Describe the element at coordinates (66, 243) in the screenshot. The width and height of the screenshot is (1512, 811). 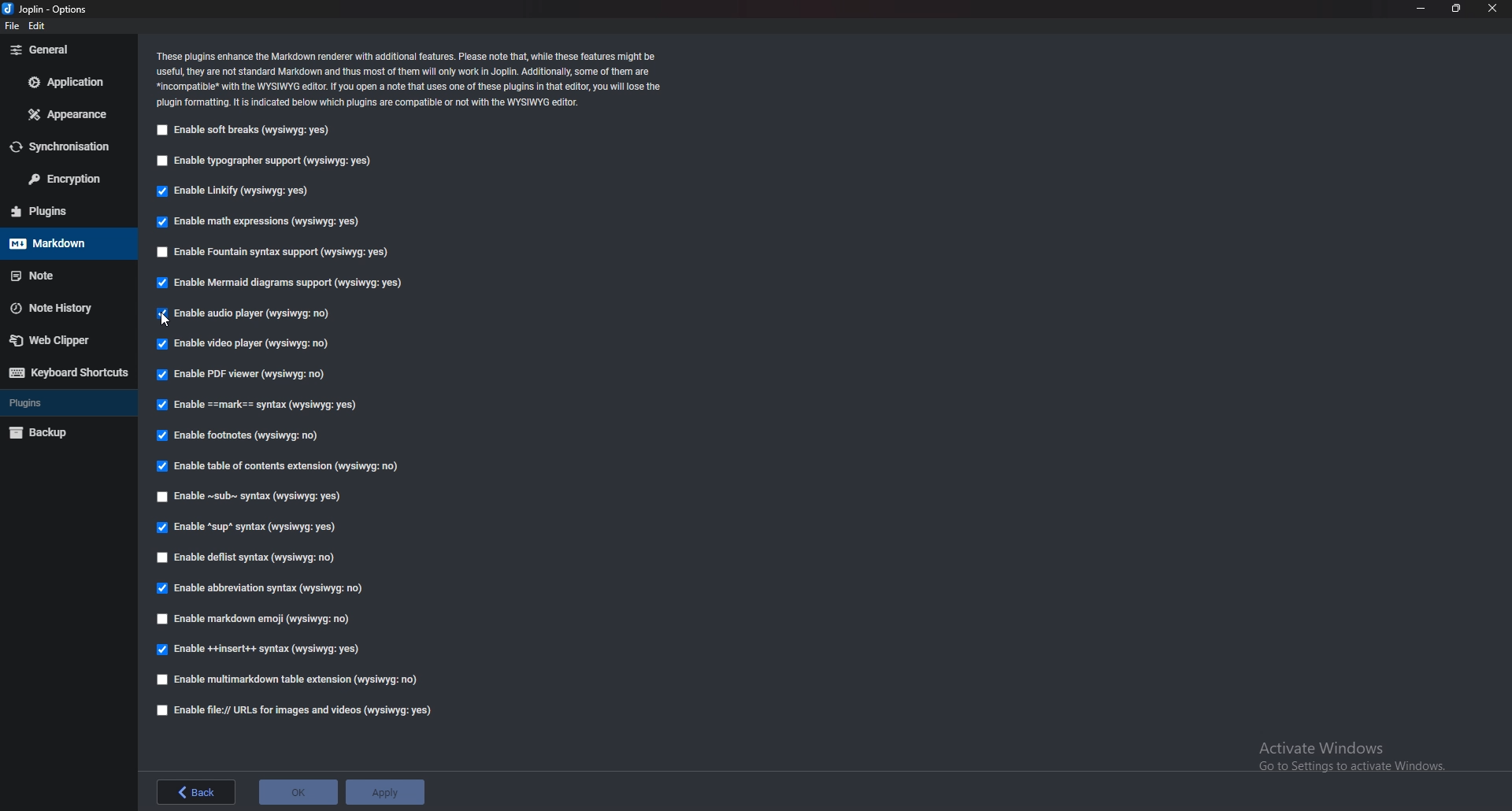
I see `markdown` at that location.